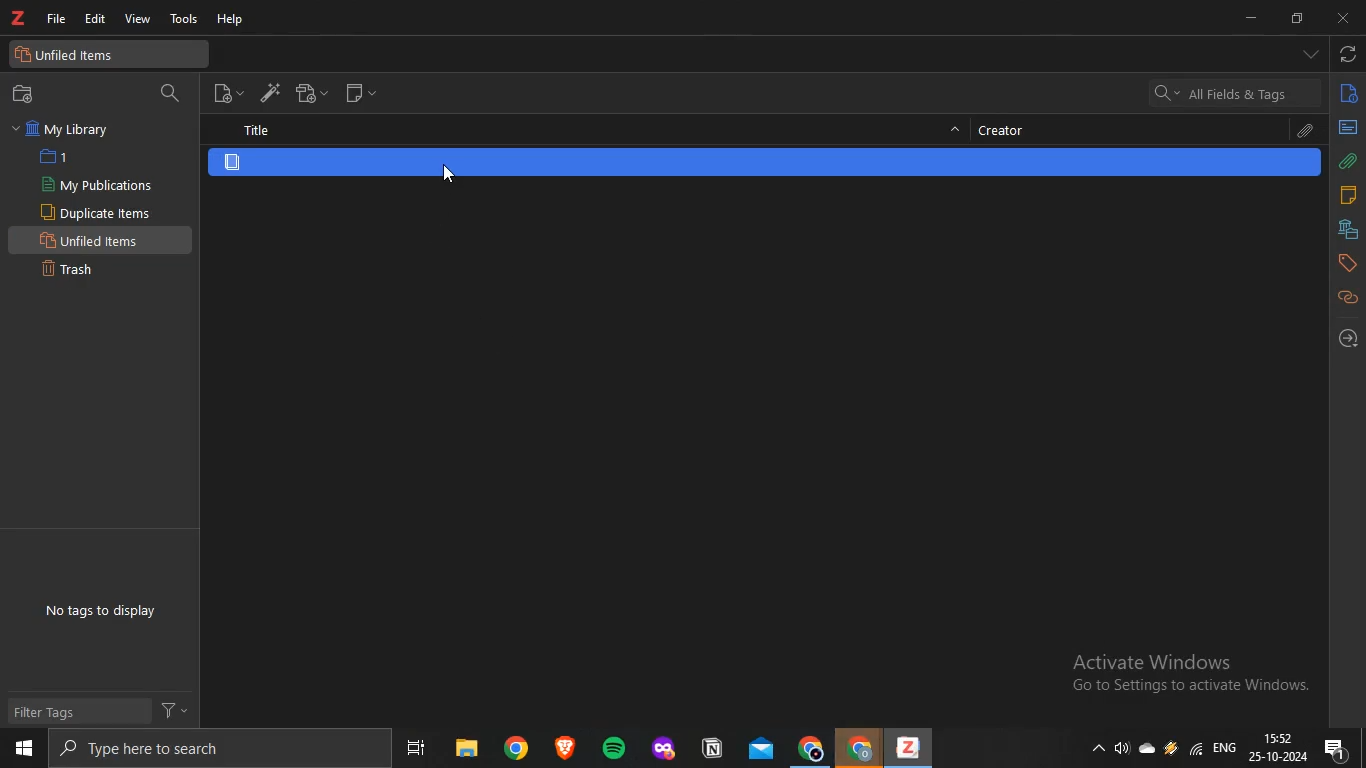 This screenshot has height=768, width=1366. I want to click on zotero, so click(905, 749).